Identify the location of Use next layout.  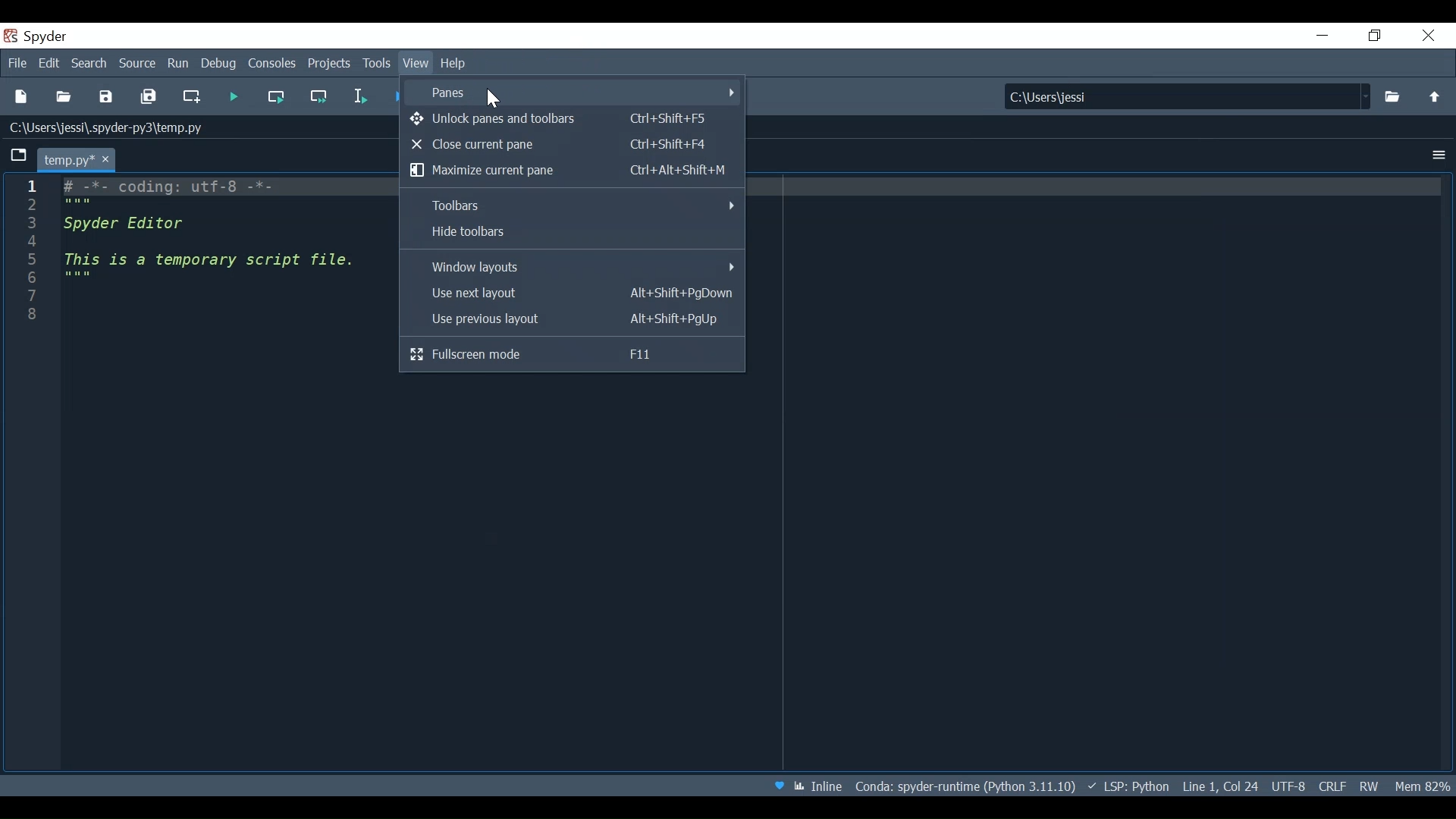
(570, 293).